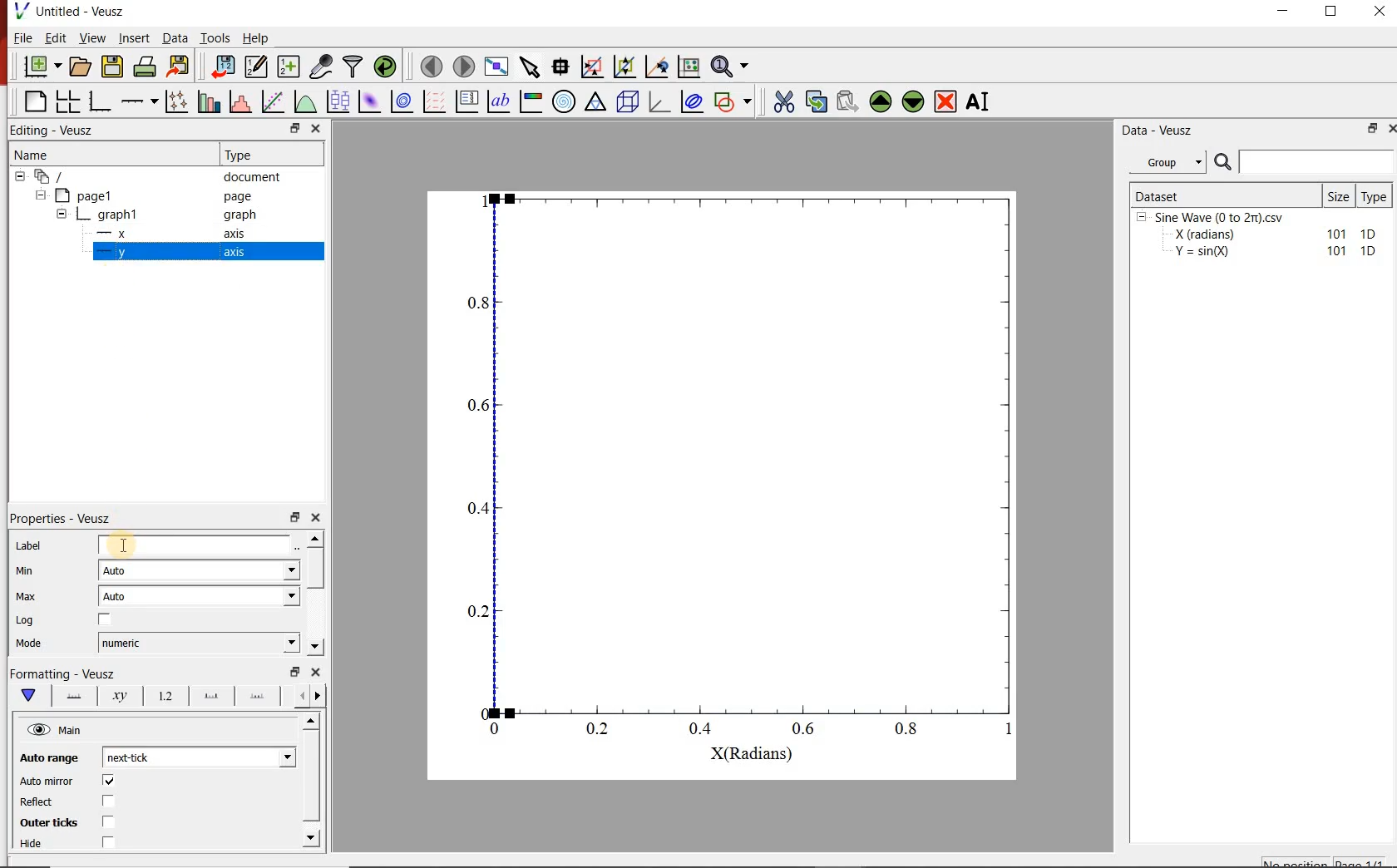 This screenshot has height=868, width=1397. Describe the element at coordinates (81, 67) in the screenshot. I see `open document` at that location.